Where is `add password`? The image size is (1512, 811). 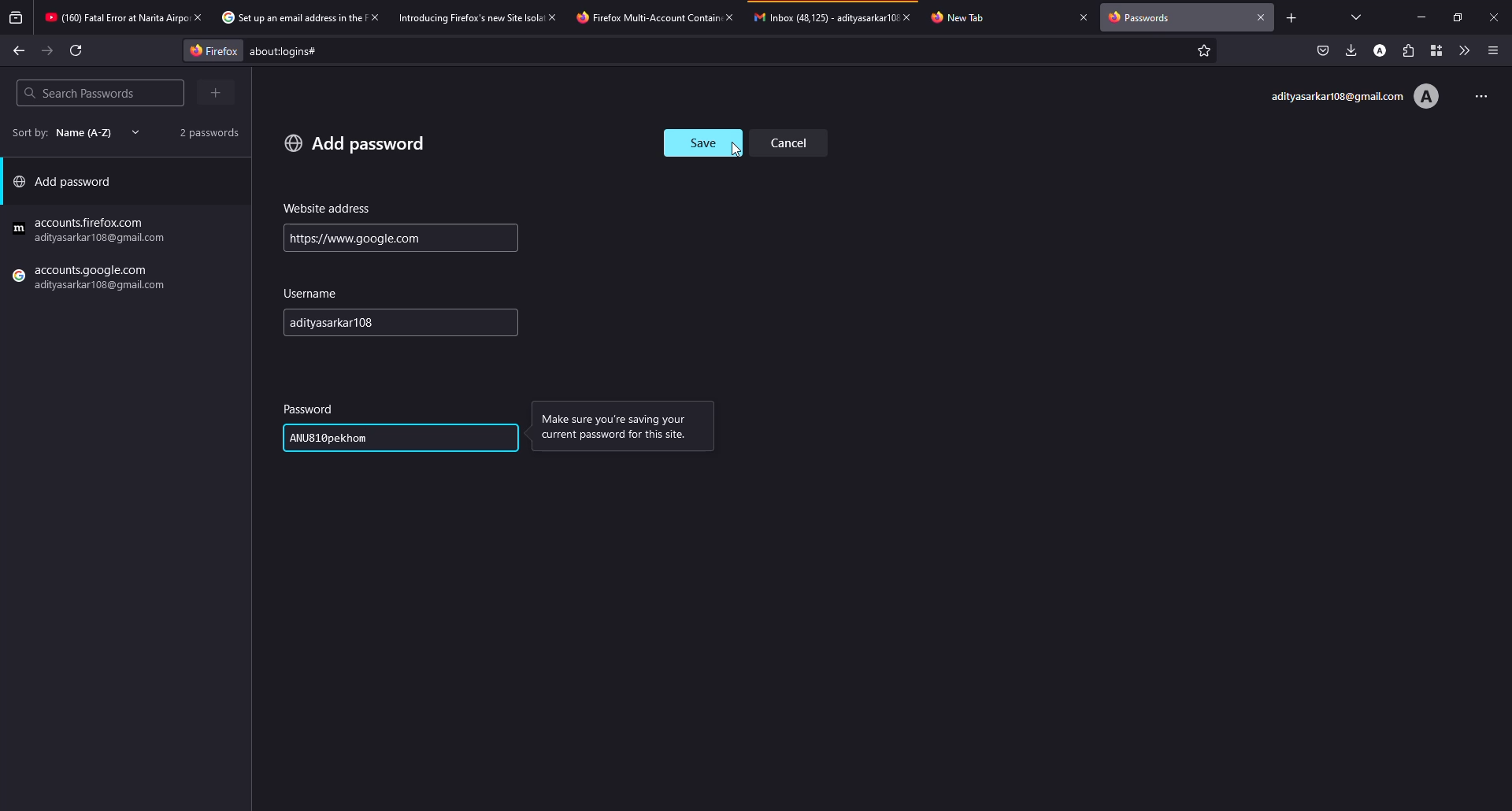 add password is located at coordinates (68, 185).